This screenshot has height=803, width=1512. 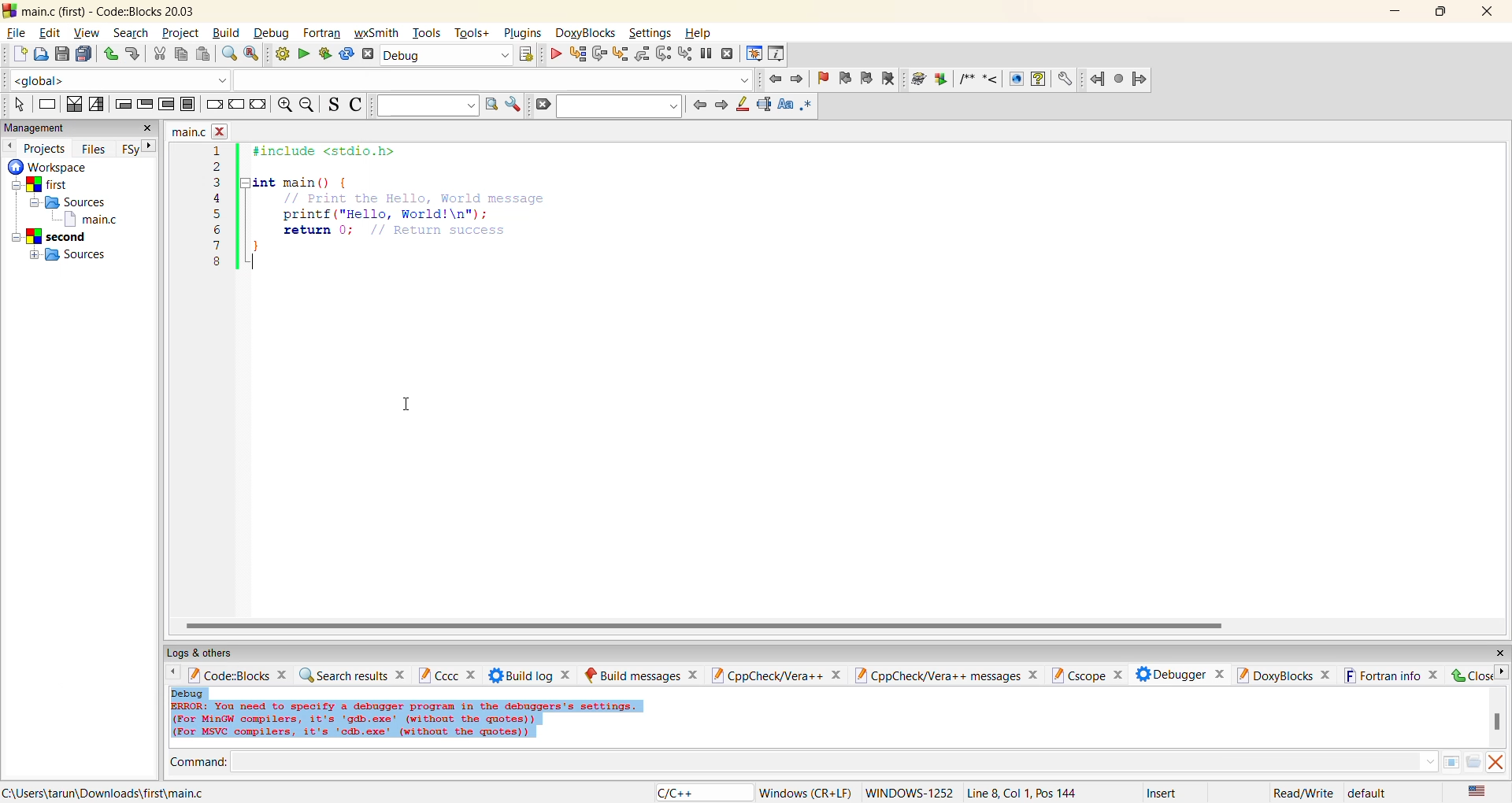 I want to click on previous, so click(x=10, y=146).